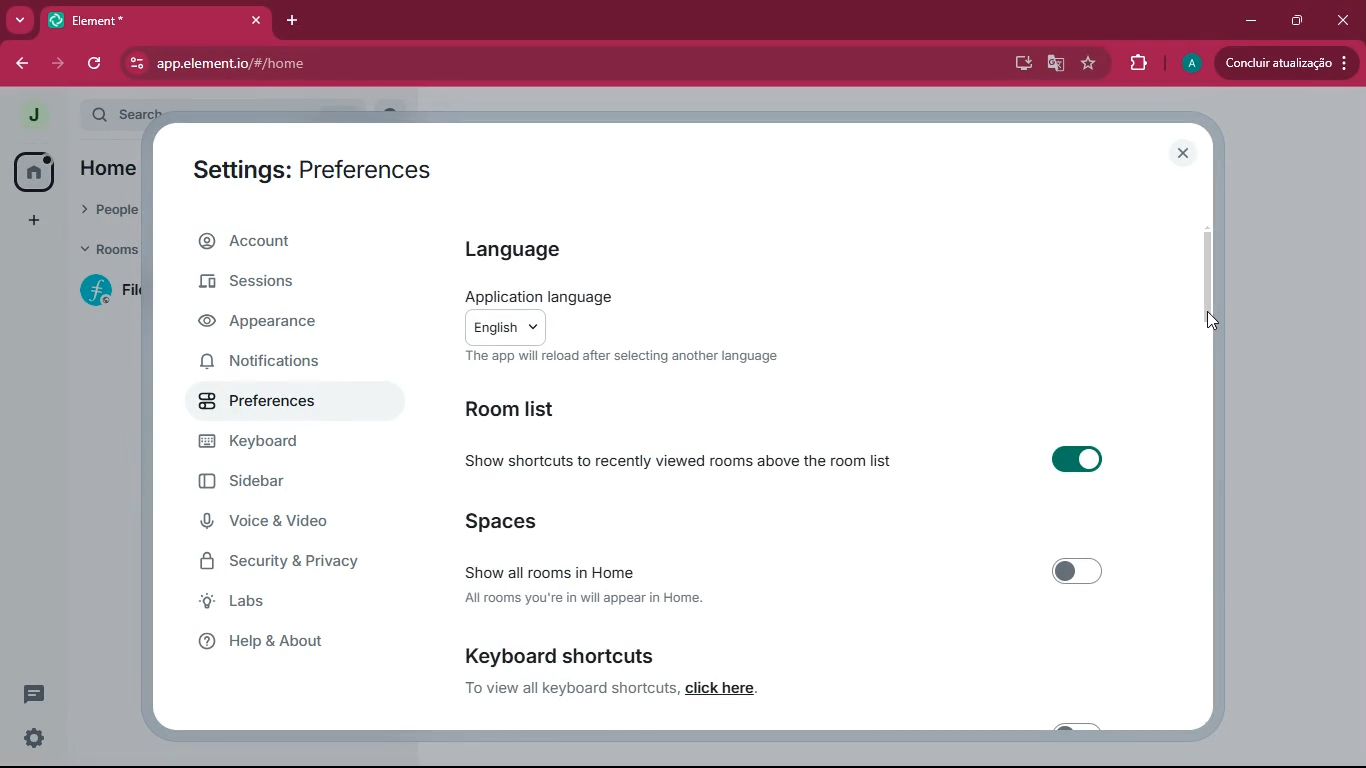  I want to click on cursor, so click(1215, 322).